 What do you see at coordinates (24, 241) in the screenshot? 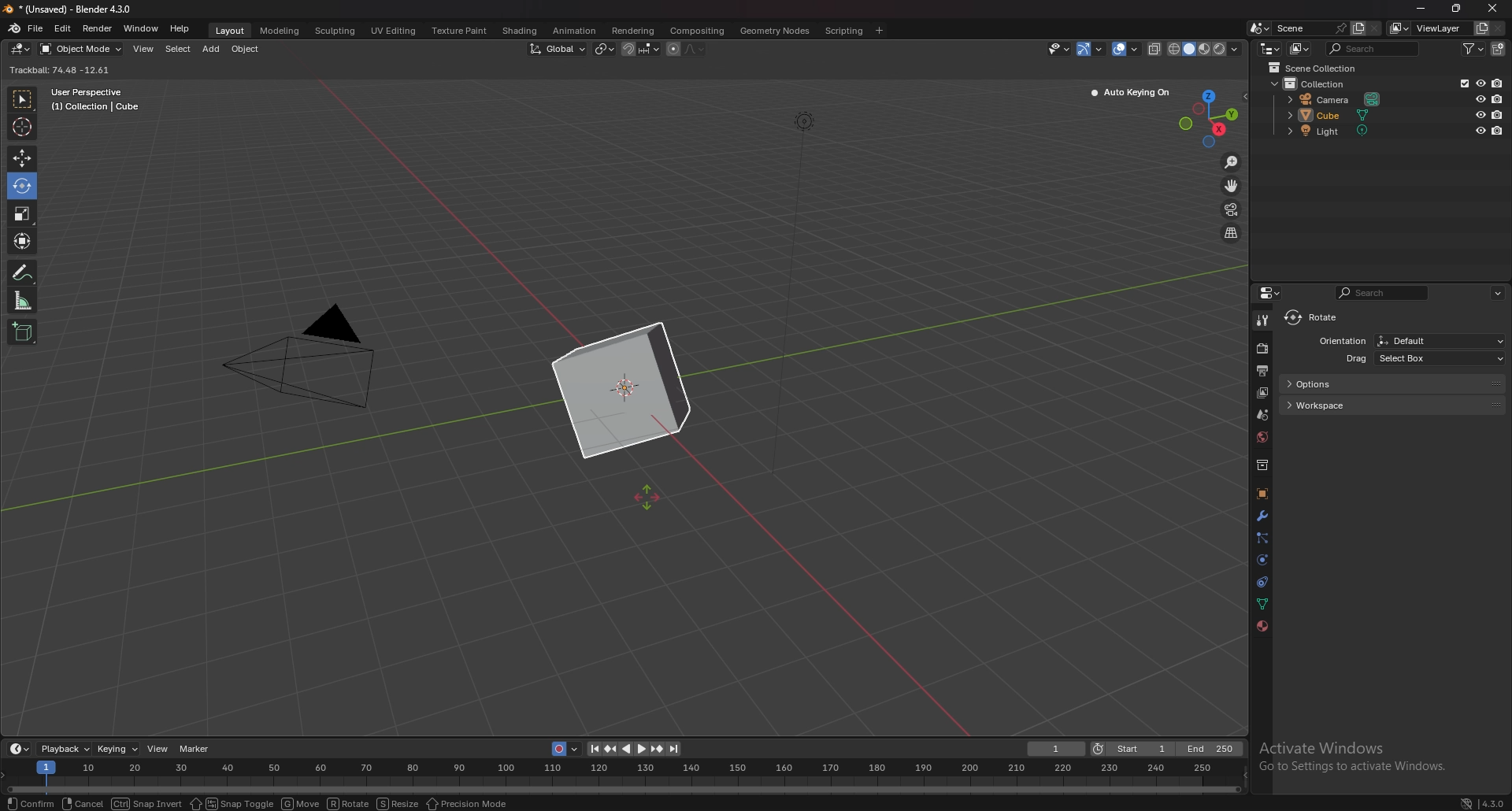
I see `transform` at bounding box center [24, 241].